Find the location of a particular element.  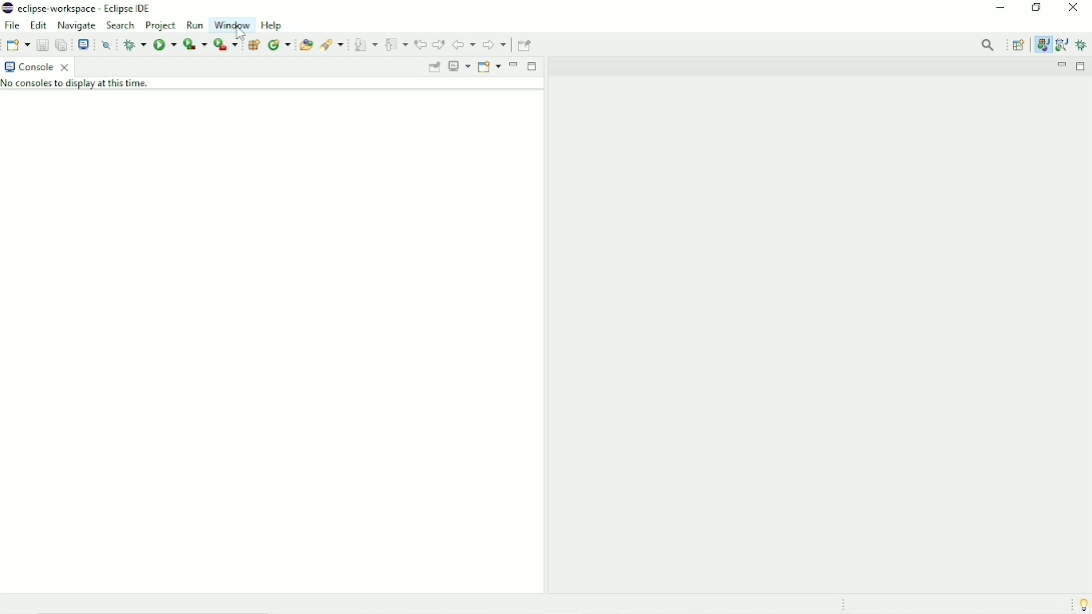

Display selected console is located at coordinates (459, 67).